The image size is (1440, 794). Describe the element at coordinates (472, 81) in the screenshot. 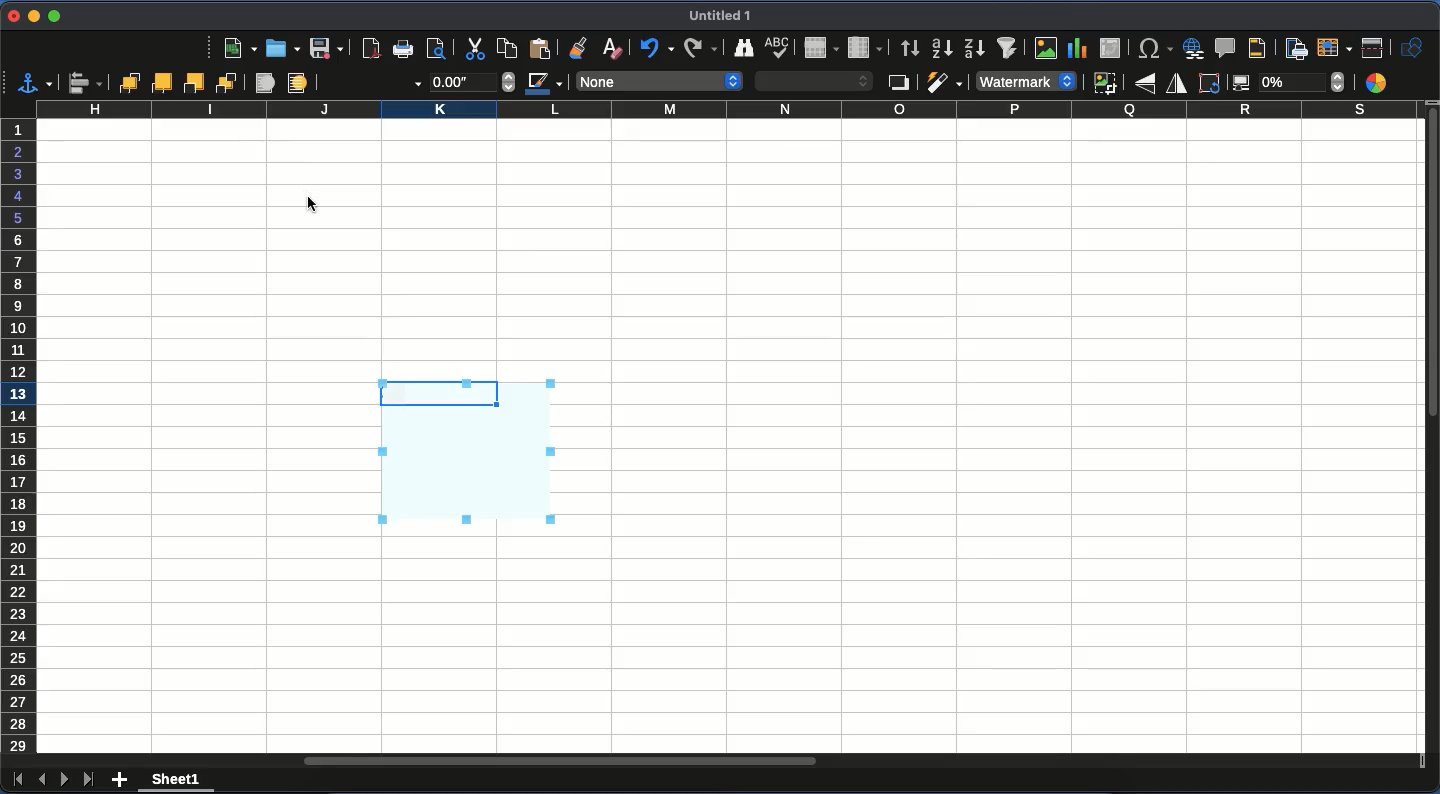

I see `thickness` at that location.